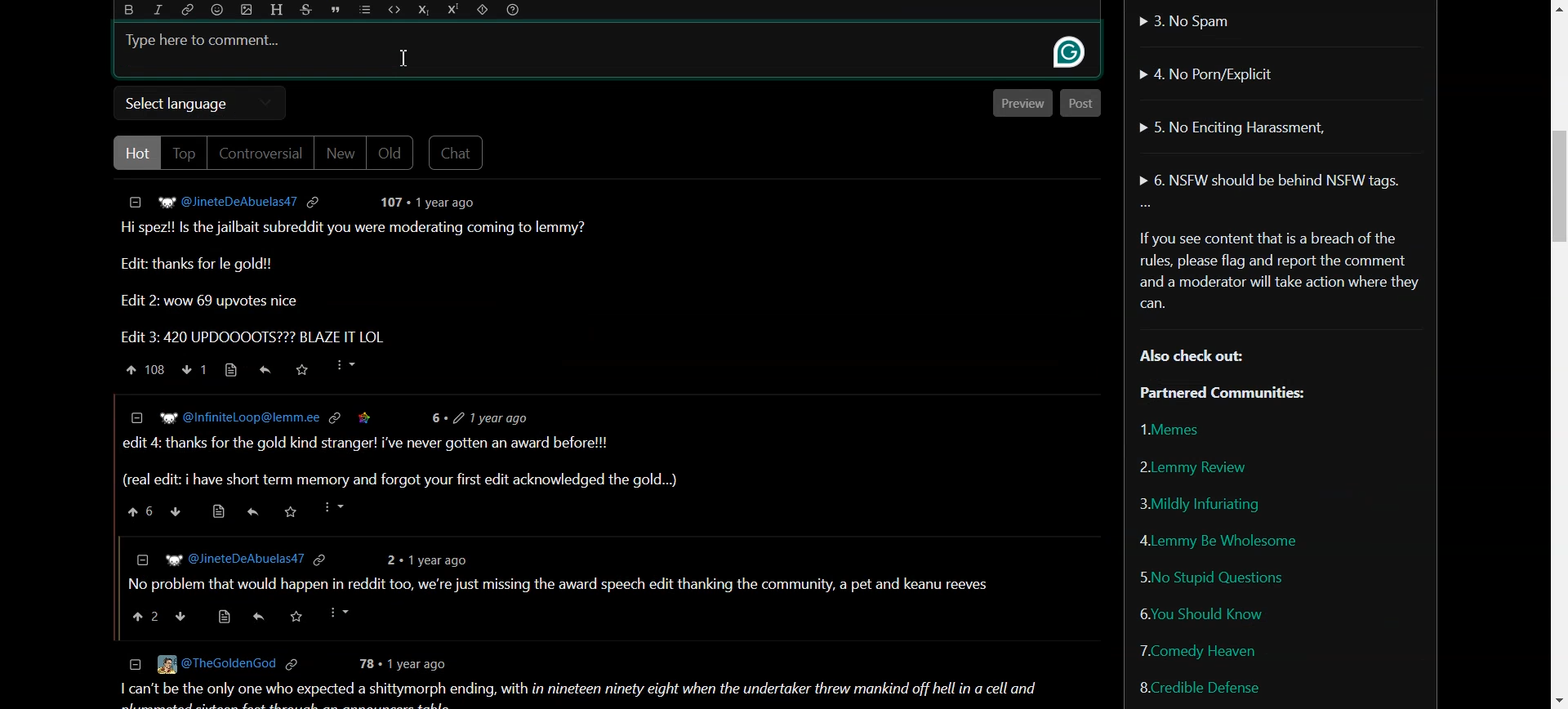  I want to click on post details, so click(430, 203).